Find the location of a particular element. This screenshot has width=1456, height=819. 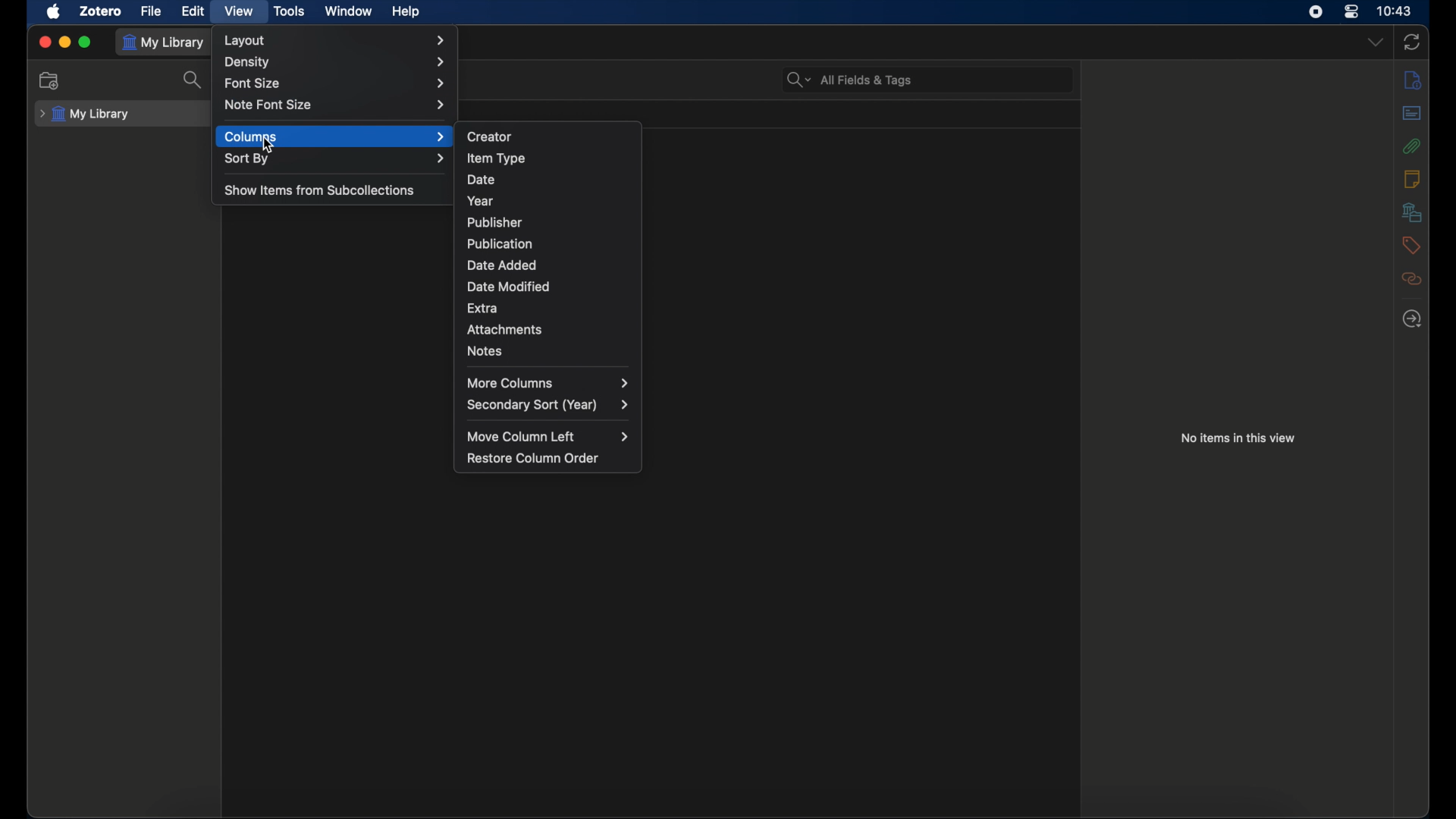

note font size is located at coordinates (335, 105).